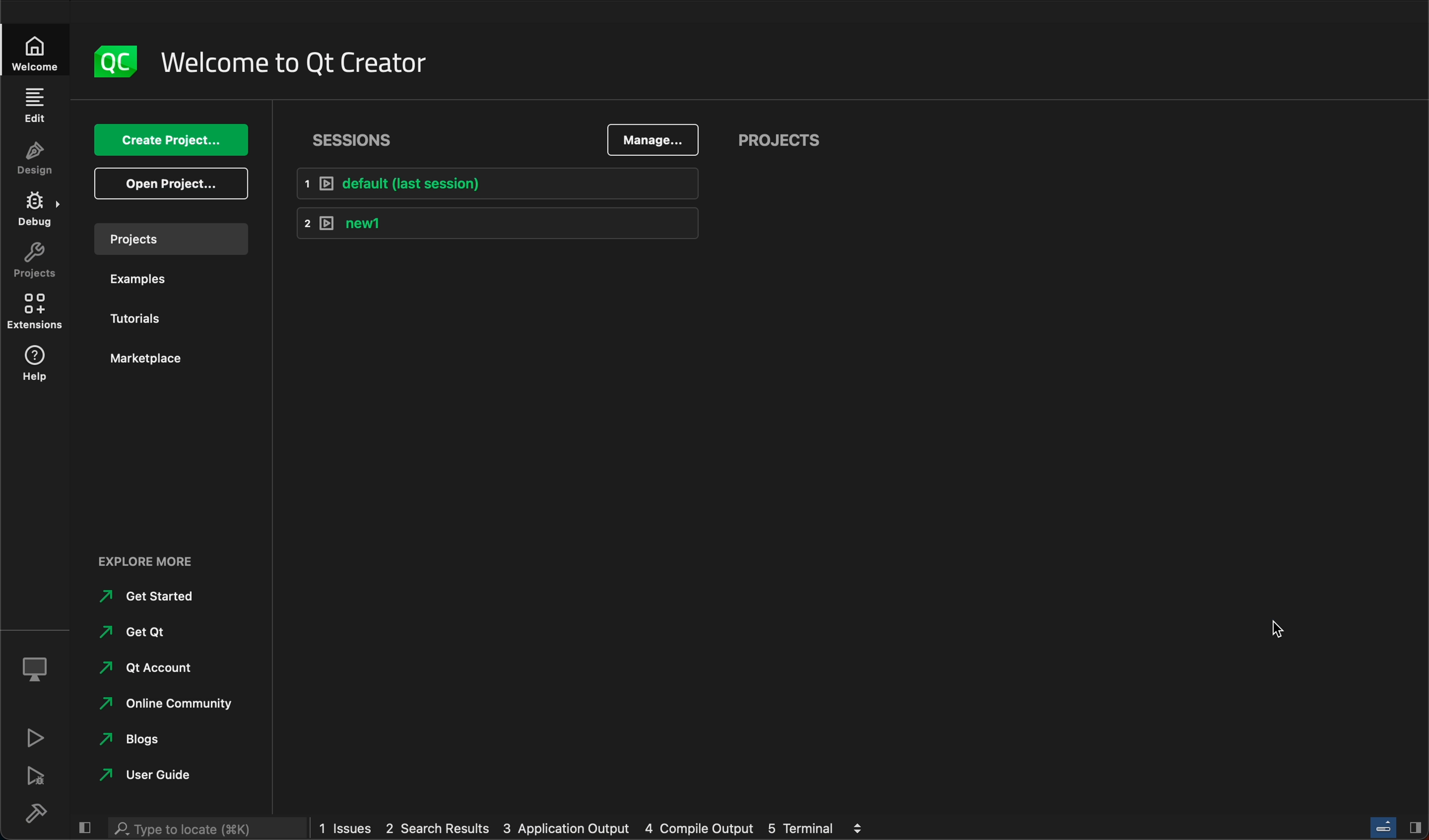  I want to click on view output, so click(859, 825).